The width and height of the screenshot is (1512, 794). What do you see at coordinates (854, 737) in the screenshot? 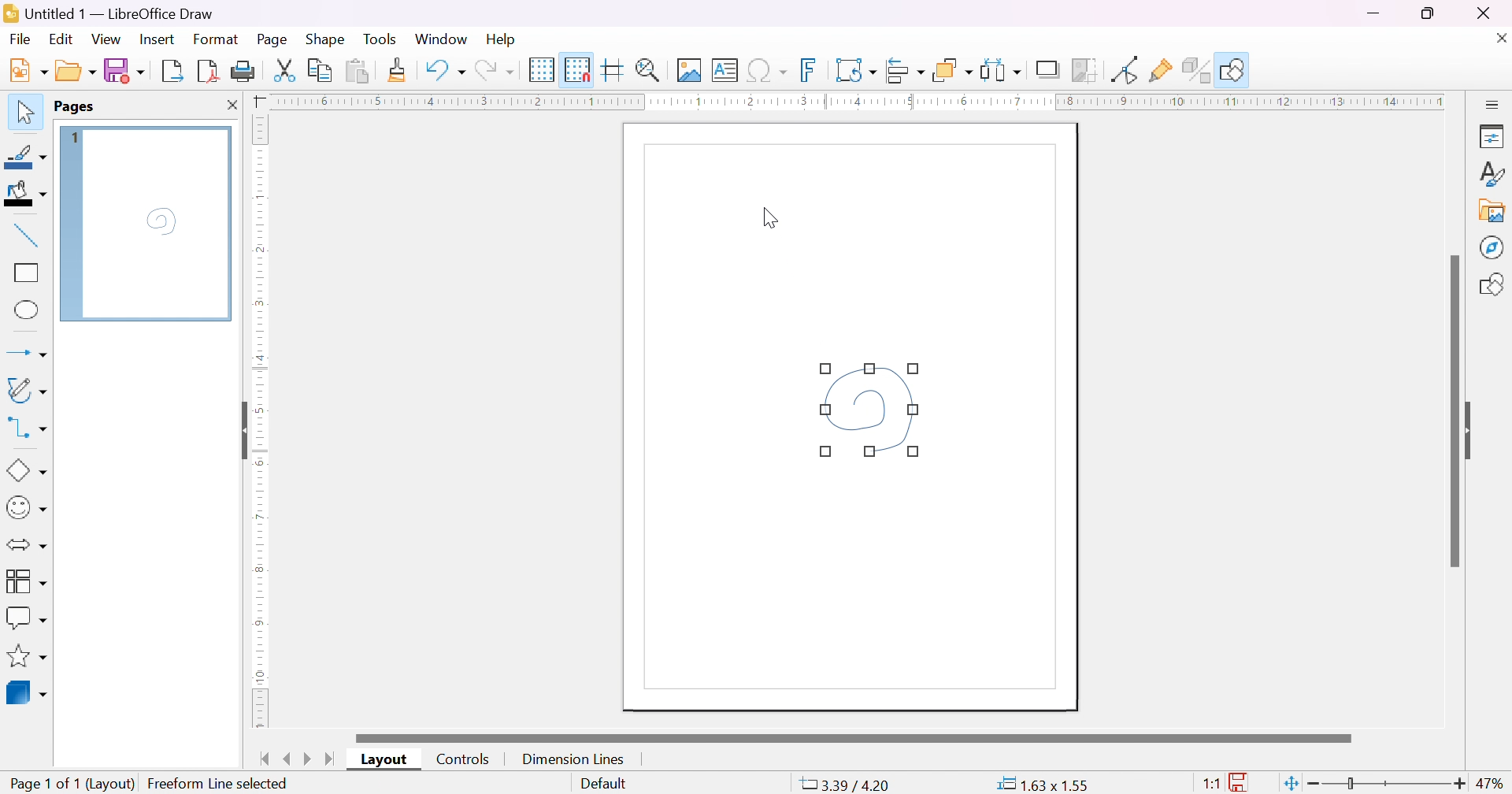
I see `scroll bar` at bounding box center [854, 737].